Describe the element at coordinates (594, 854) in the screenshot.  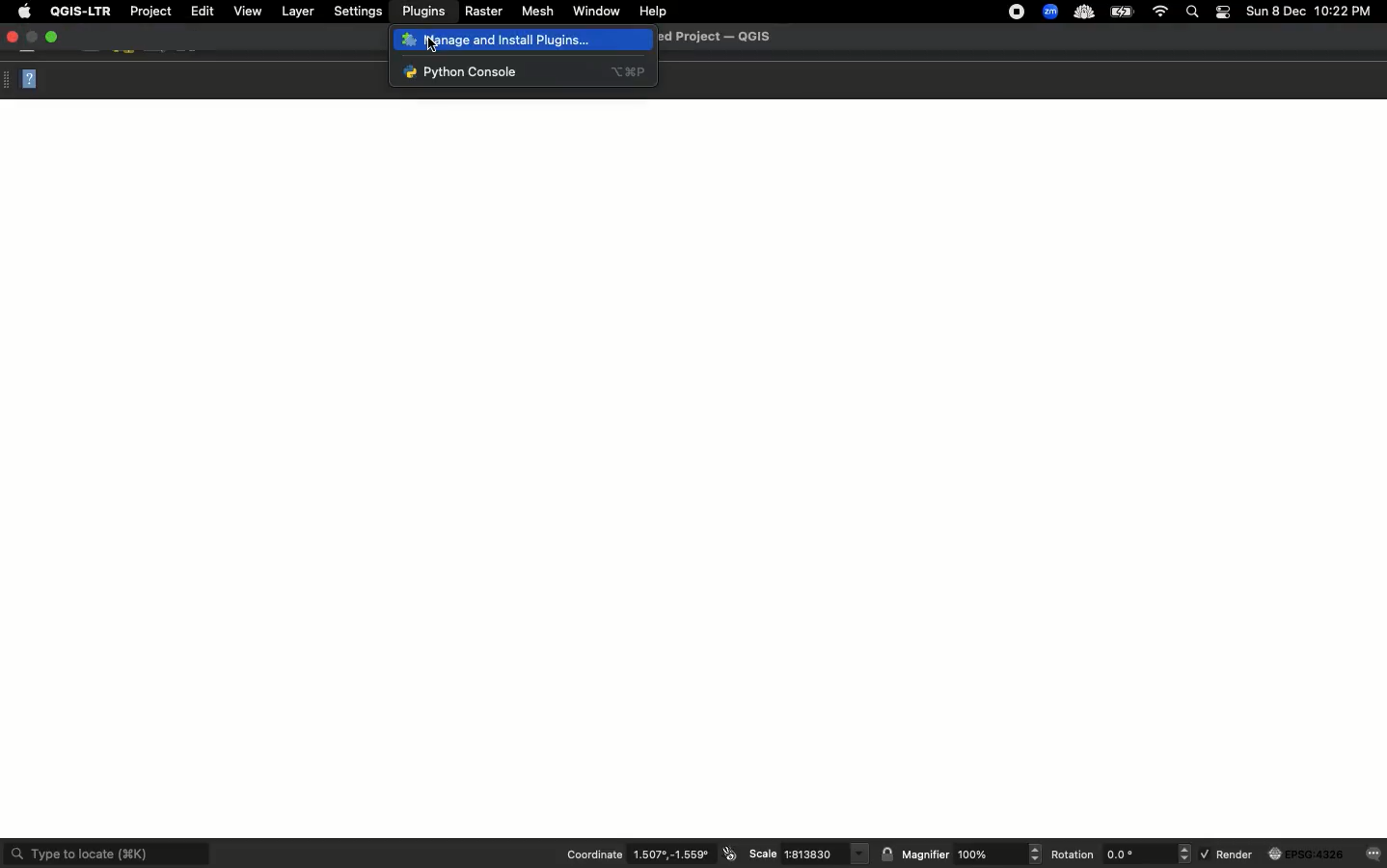
I see `Coordinate` at that location.